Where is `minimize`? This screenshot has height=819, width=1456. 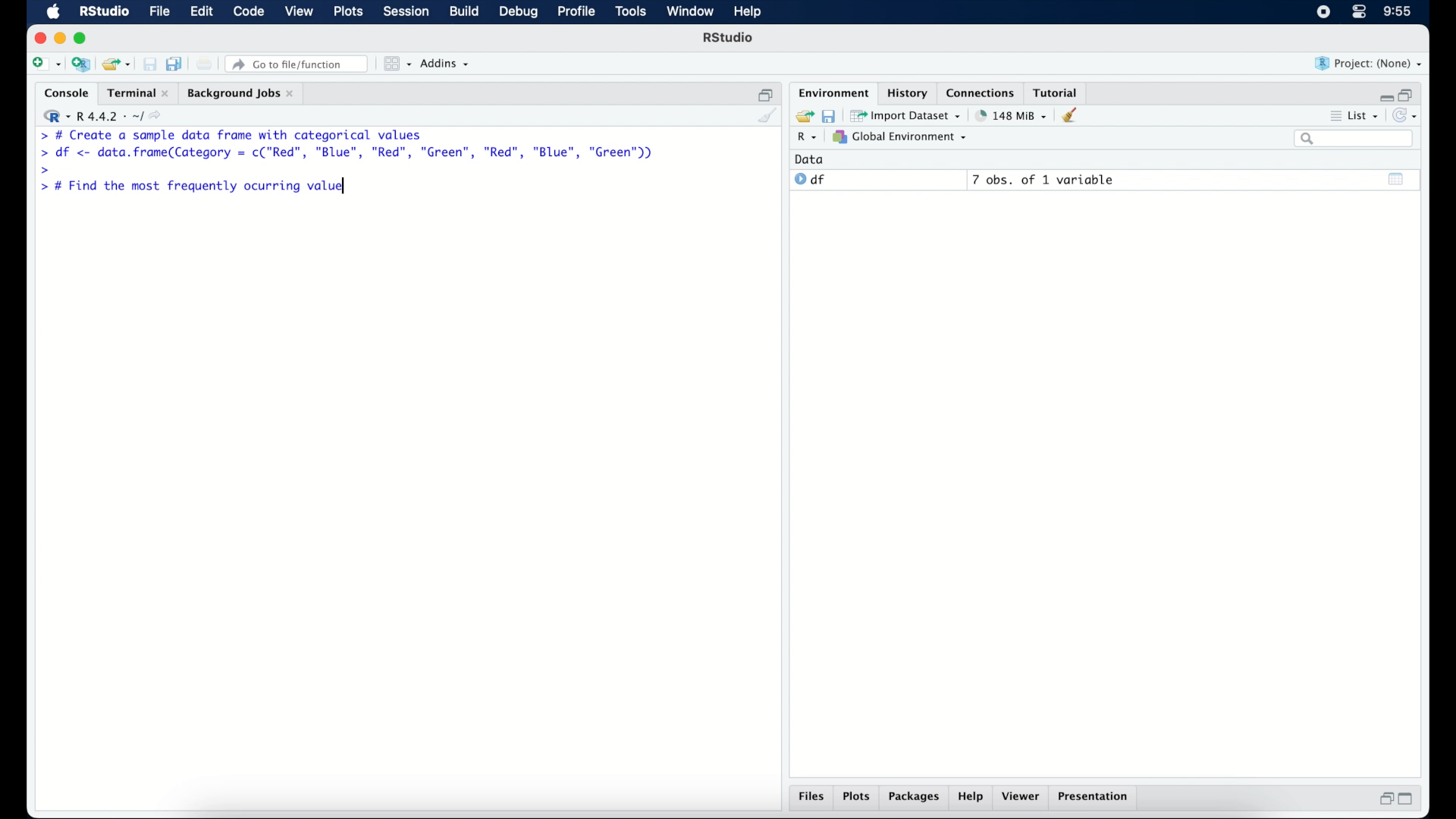
minimize is located at coordinates (1383, 95).